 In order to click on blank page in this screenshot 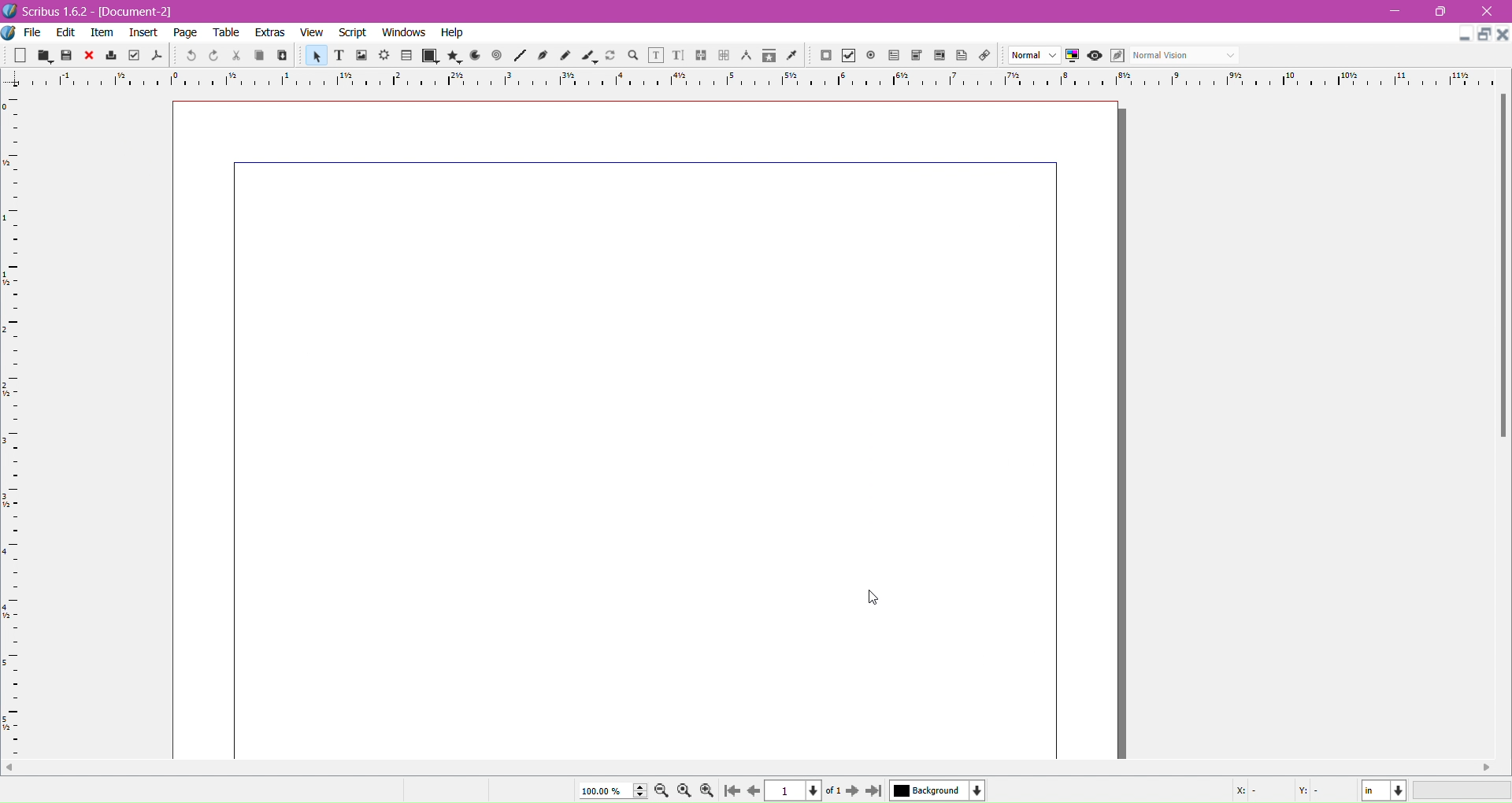, I will do `click(22, 54)`.